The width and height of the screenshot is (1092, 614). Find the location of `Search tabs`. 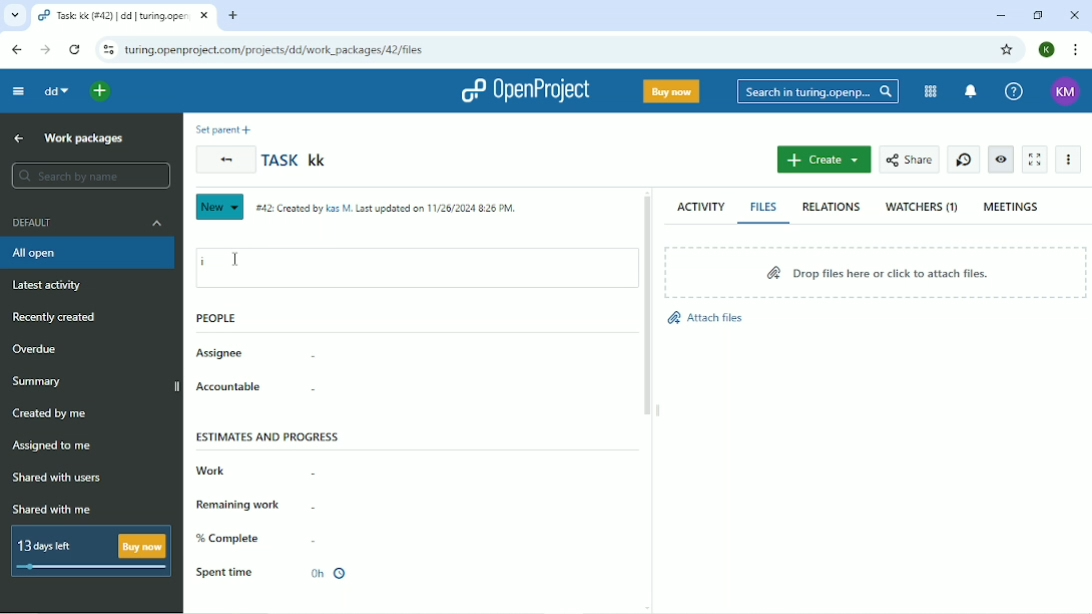

Search tabs is located at coordinates (14, 15).